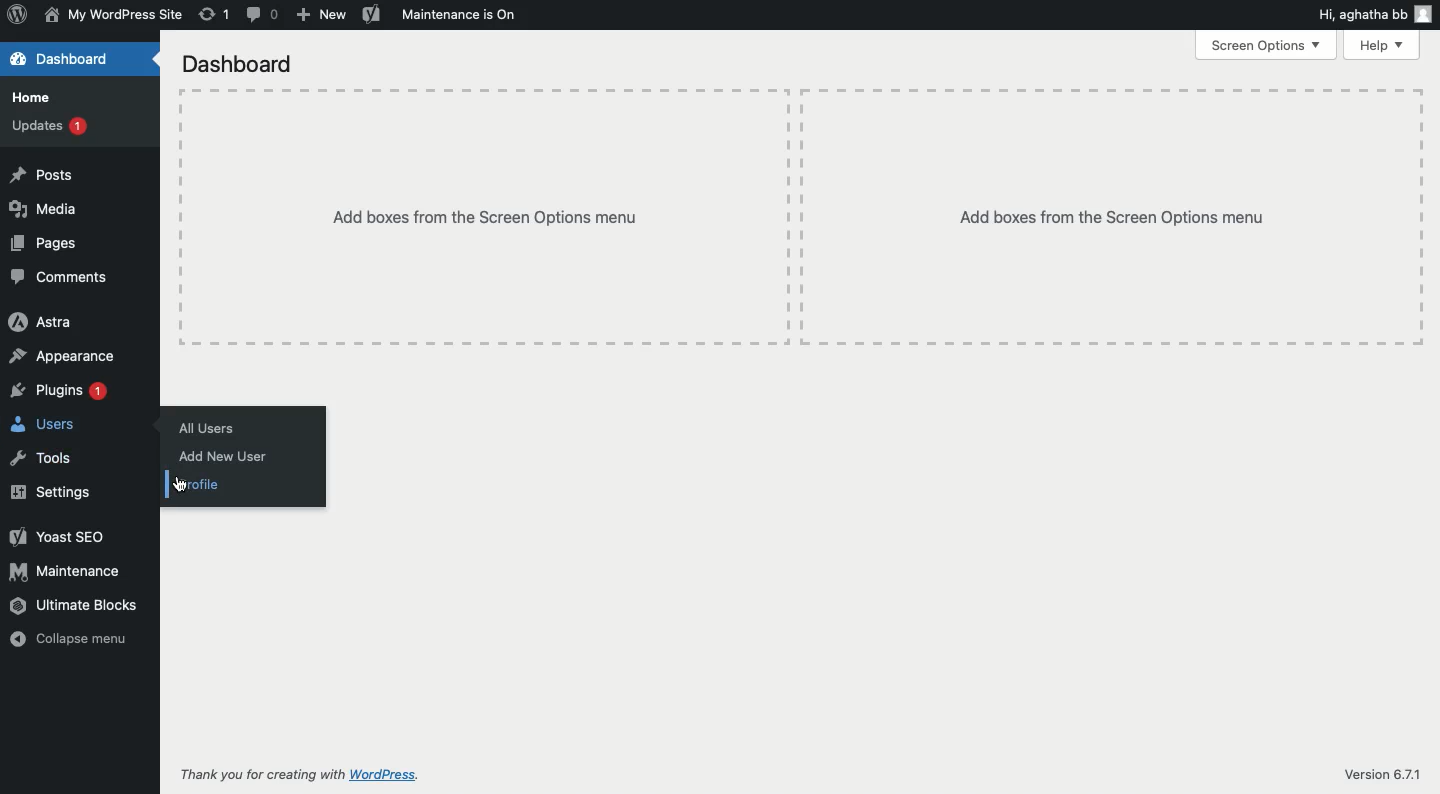 The width and height of the screenshot is (1440, 794). Describe the element at coordinates (53, 492) in the screenshot. I see `Settings` at that location.